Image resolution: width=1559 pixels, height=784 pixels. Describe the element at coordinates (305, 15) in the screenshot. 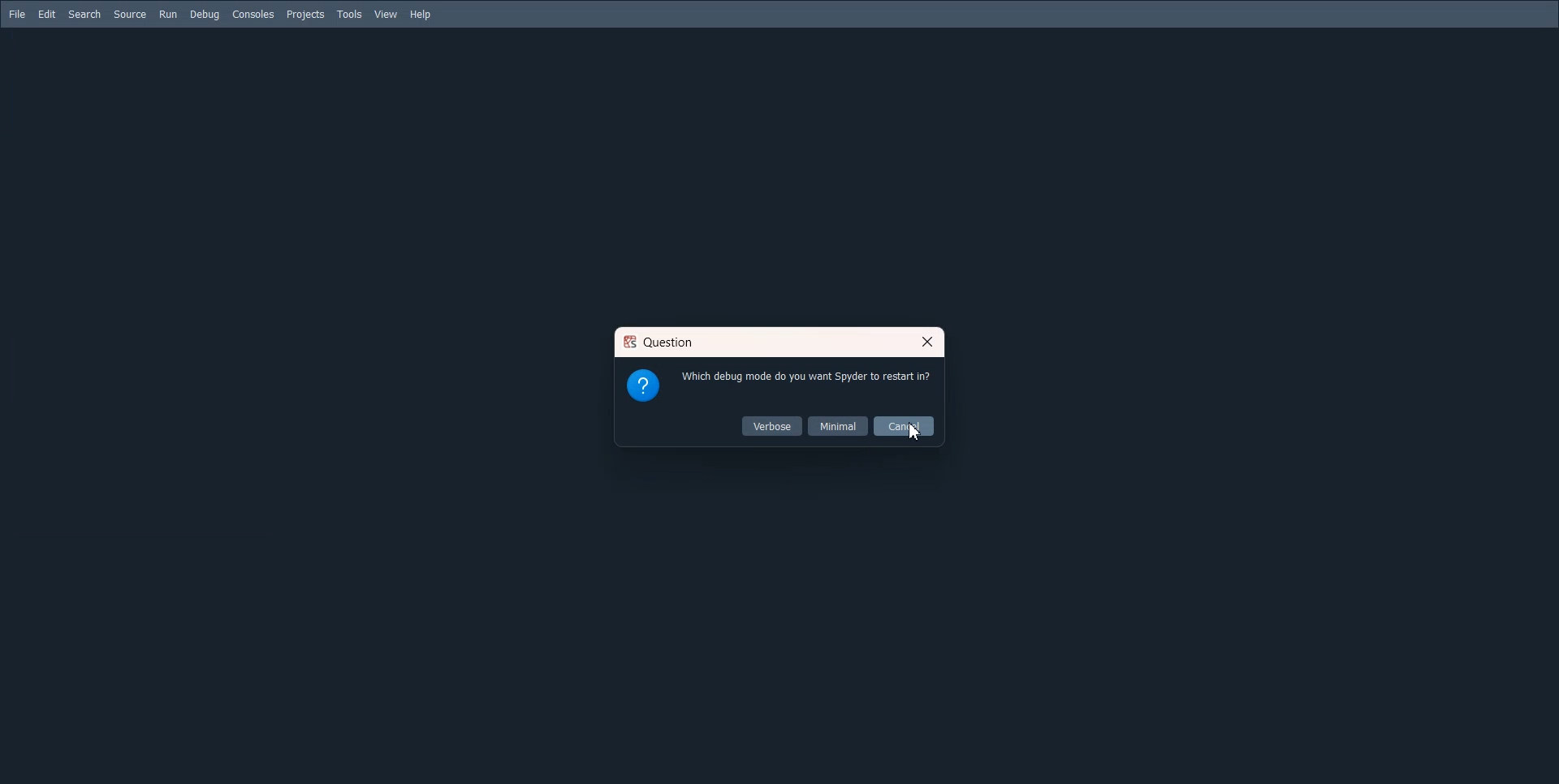

I see `Projects` at that location.